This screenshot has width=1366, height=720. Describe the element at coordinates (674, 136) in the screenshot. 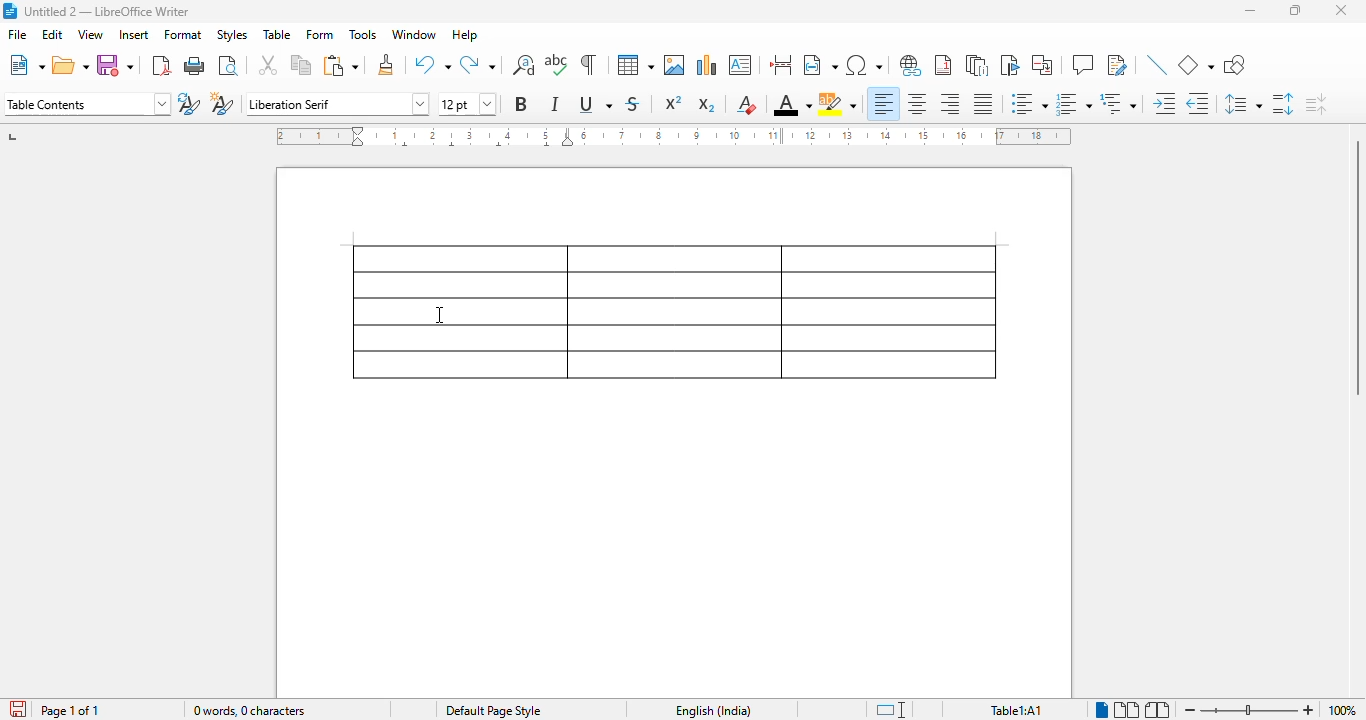

I see `ruler` at that location.